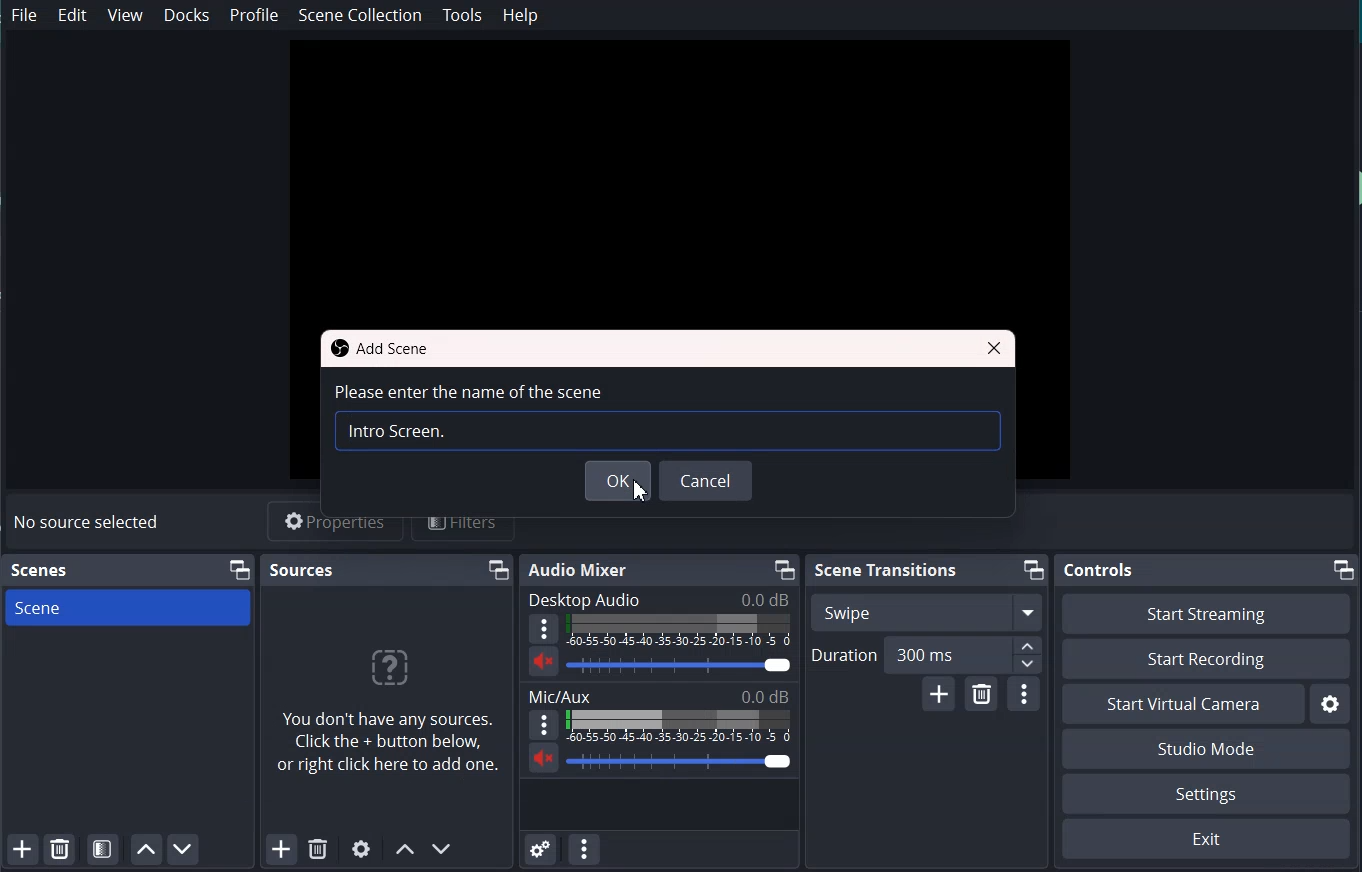 This screenshot has height=872, width=1362. What do you see at coordinates (938, 693) in the screenshot?
I see `Add configurable Transition` at bounding box center [938, 693].